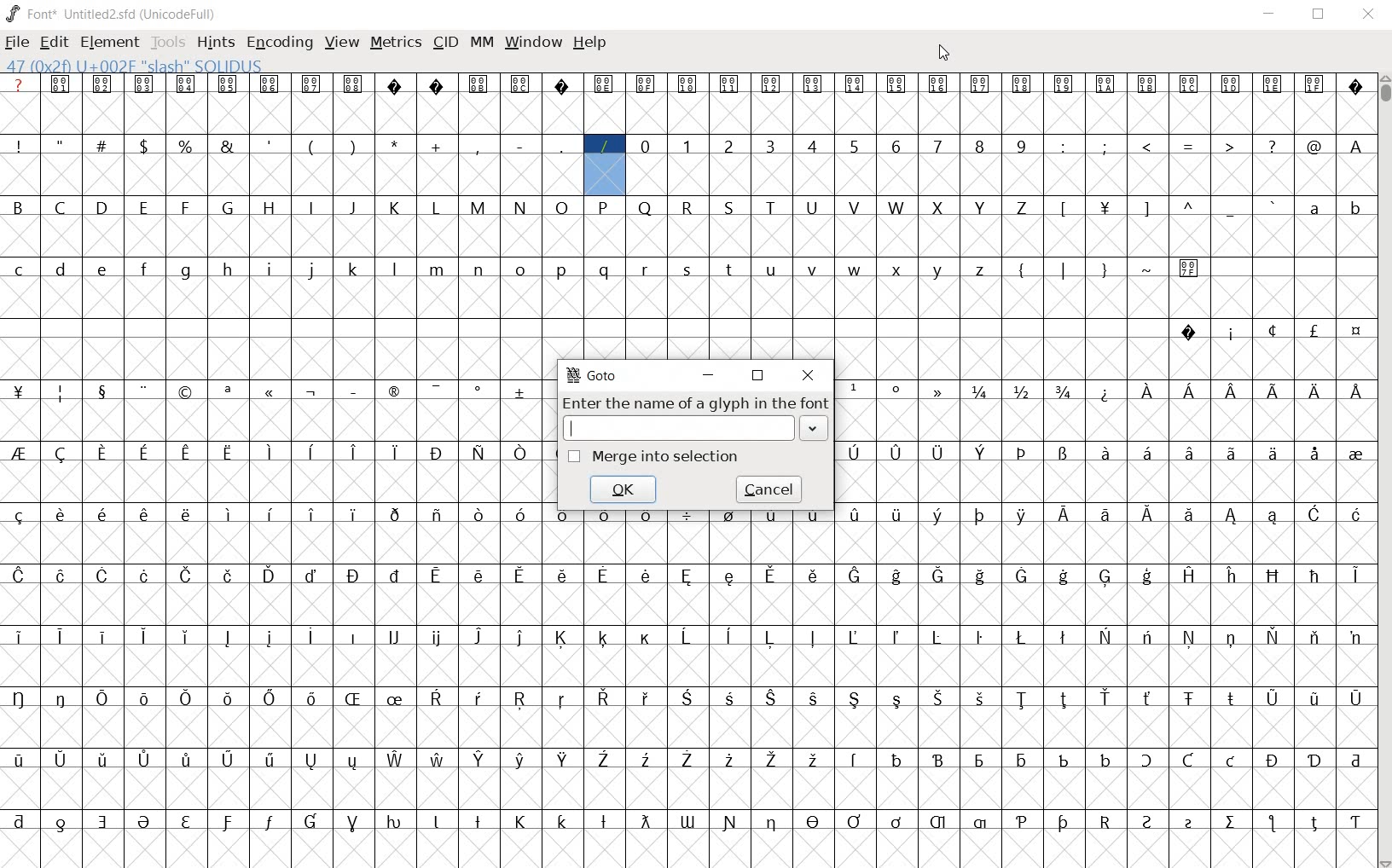  What do you see at coordinates (1273, 330) in the screenshot?
I see `glyph` at bounding box center [1273, 330].